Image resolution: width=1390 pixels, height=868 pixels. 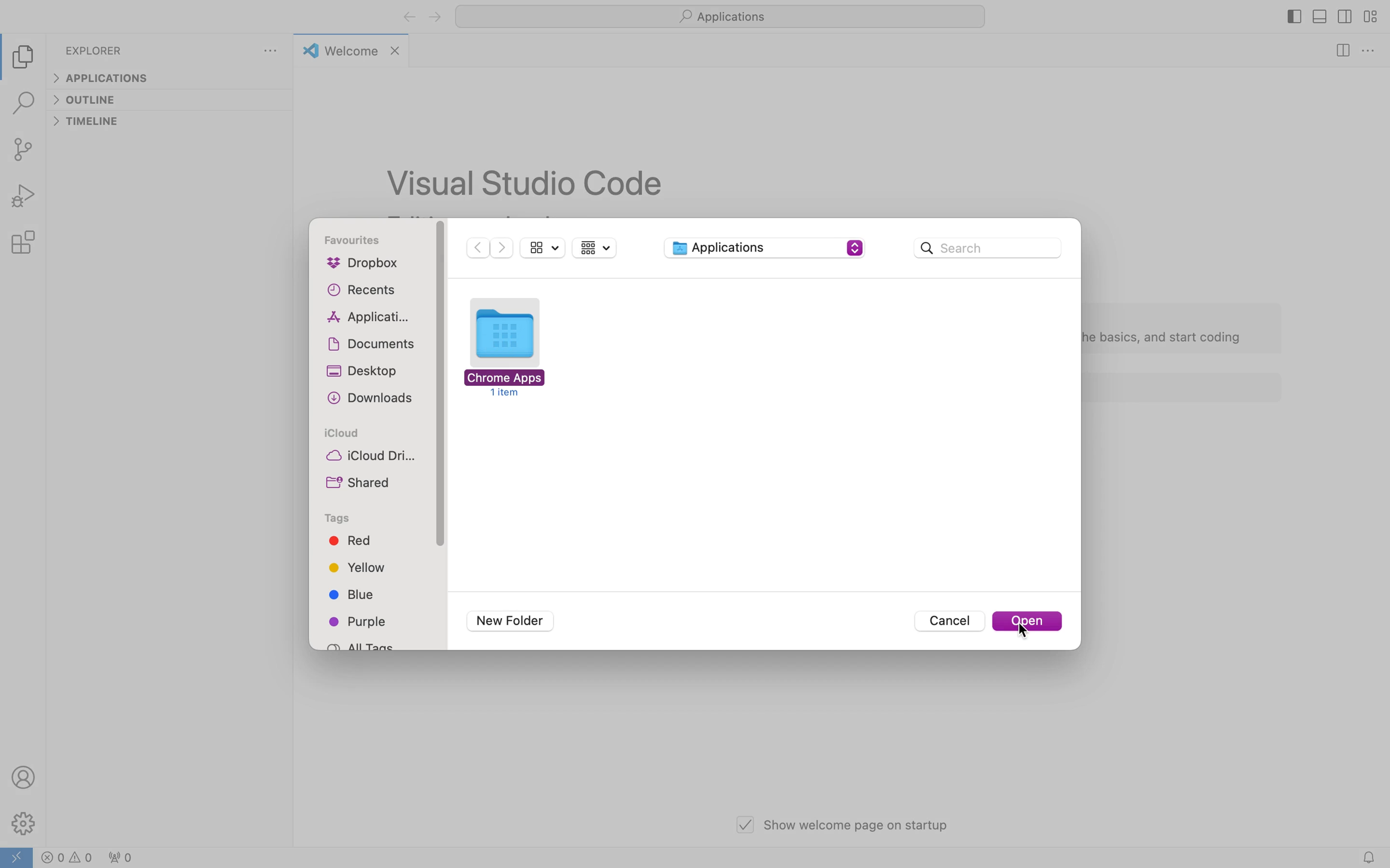 What do you see at coordinates (1340, 51) in the screenshot?
I see `split editor right` at bounding box center [1340, 51].